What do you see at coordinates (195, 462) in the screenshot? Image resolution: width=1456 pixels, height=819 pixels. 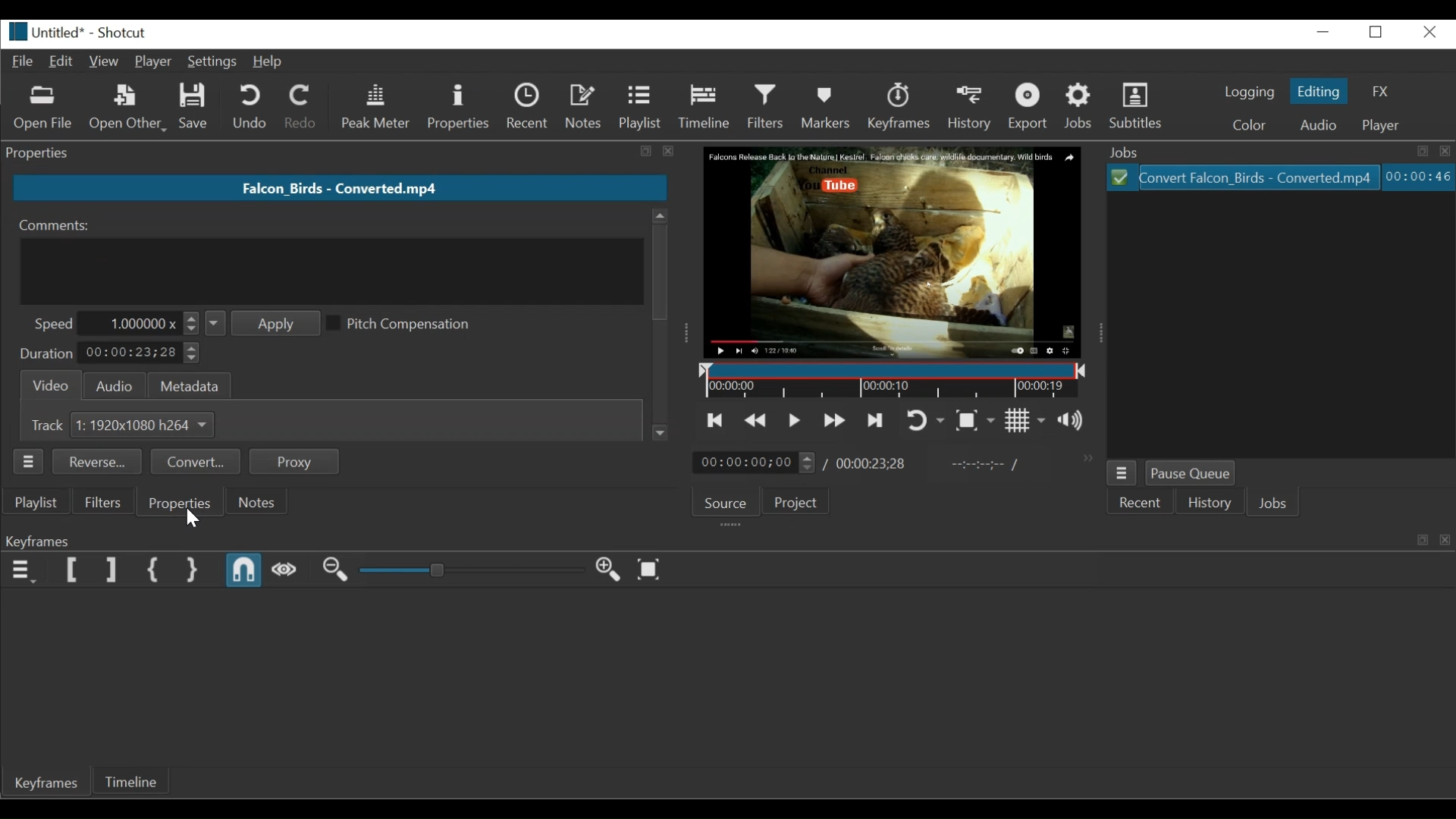 I see `Convert` at bounding box center [195, 462].